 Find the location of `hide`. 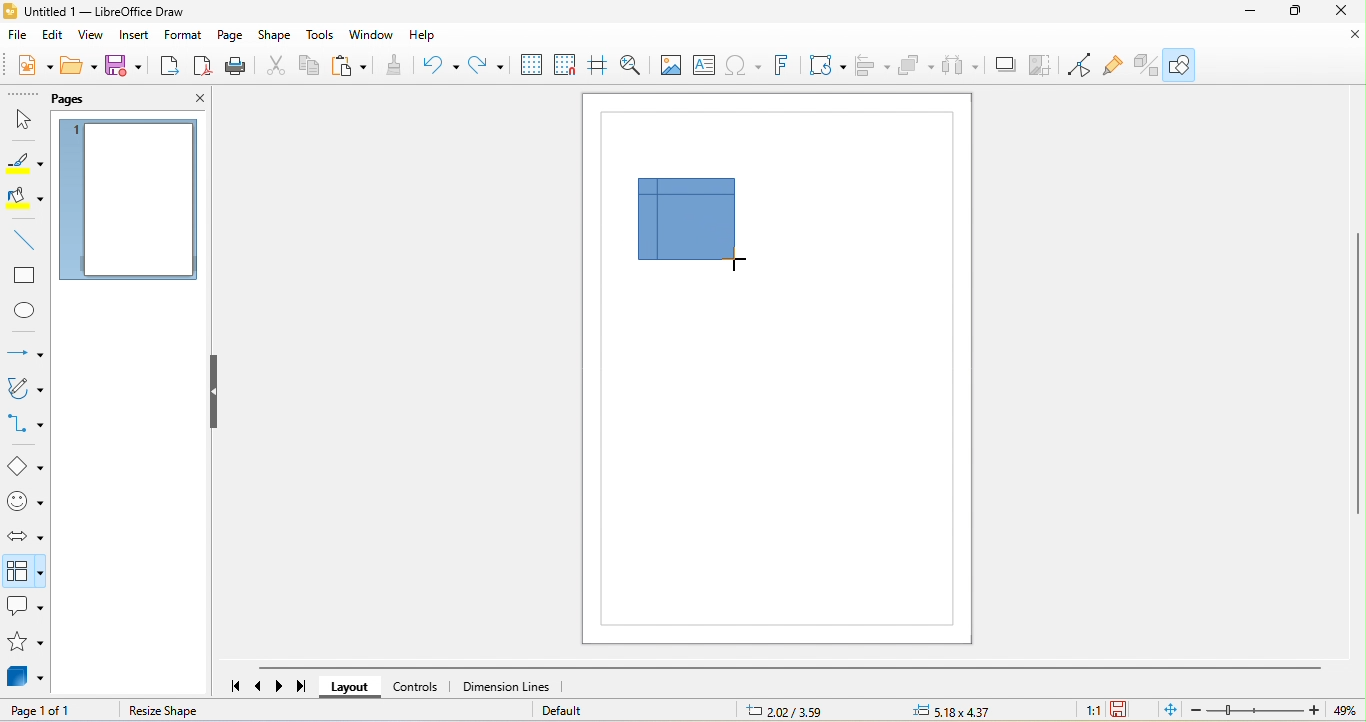

hide is located at coordinates (217, 394).